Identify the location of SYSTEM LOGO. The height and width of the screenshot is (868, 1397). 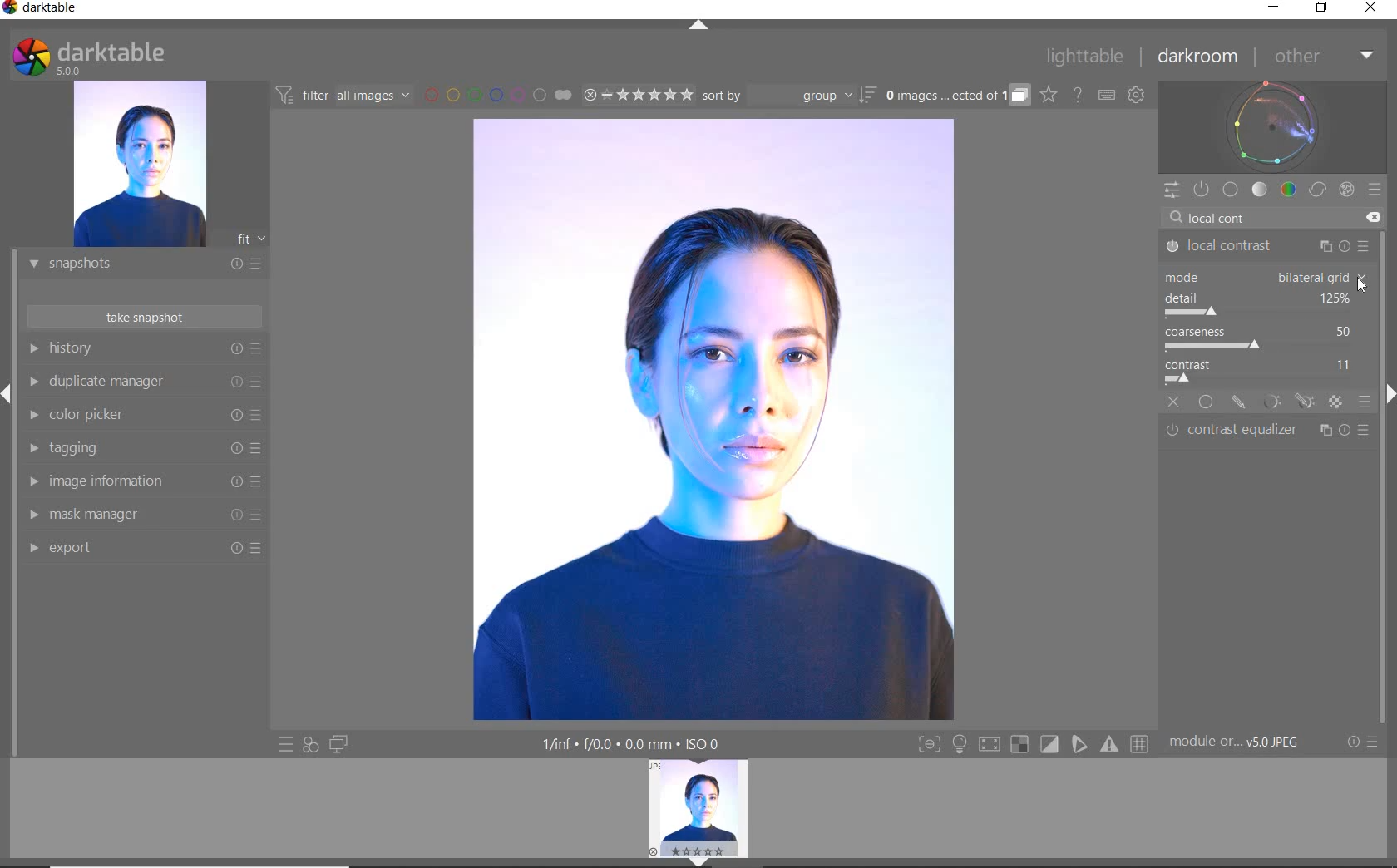
(88, 57).